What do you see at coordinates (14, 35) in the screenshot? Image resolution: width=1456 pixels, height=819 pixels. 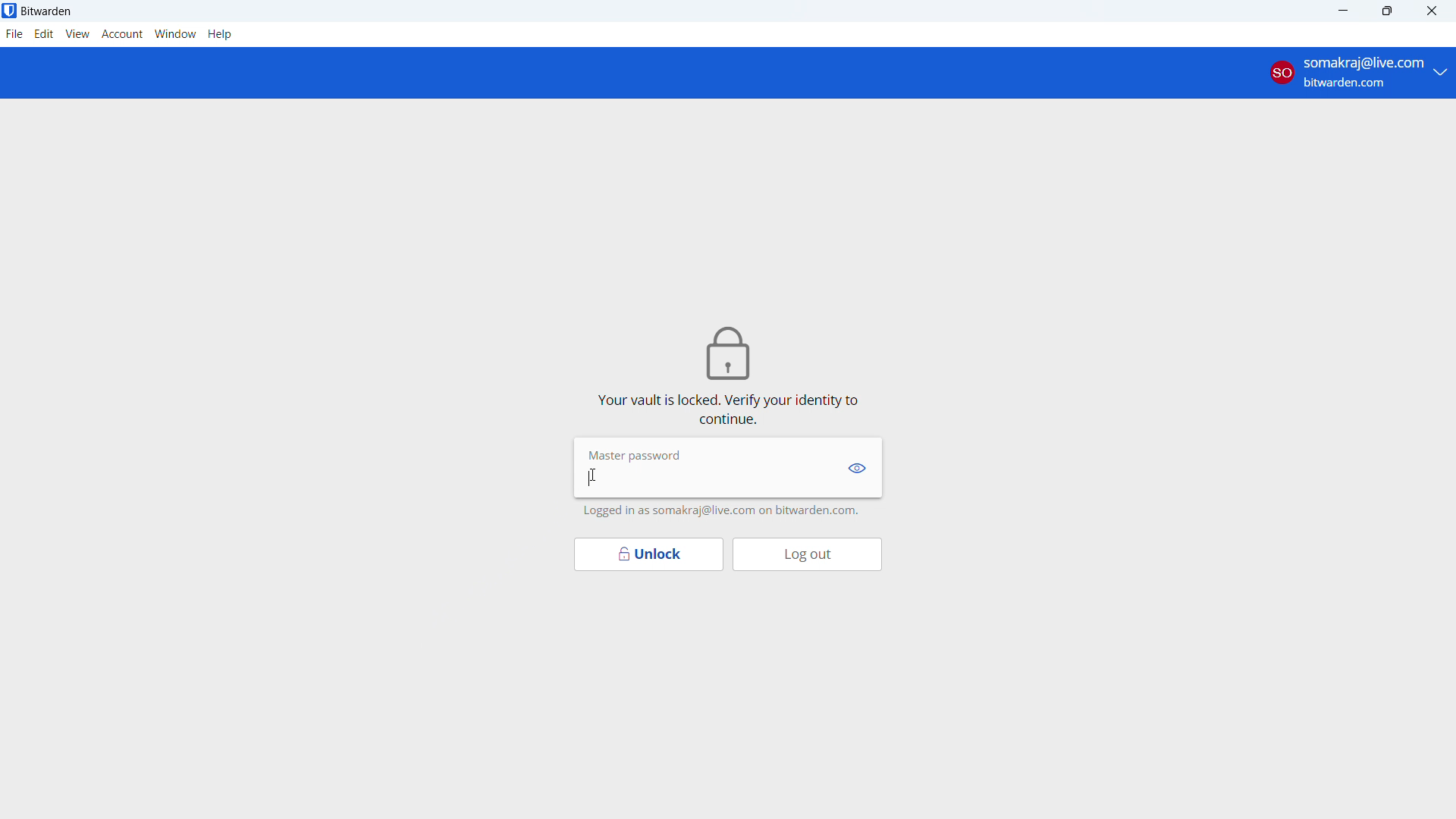 I see `file` at bounding box center [14, 35].